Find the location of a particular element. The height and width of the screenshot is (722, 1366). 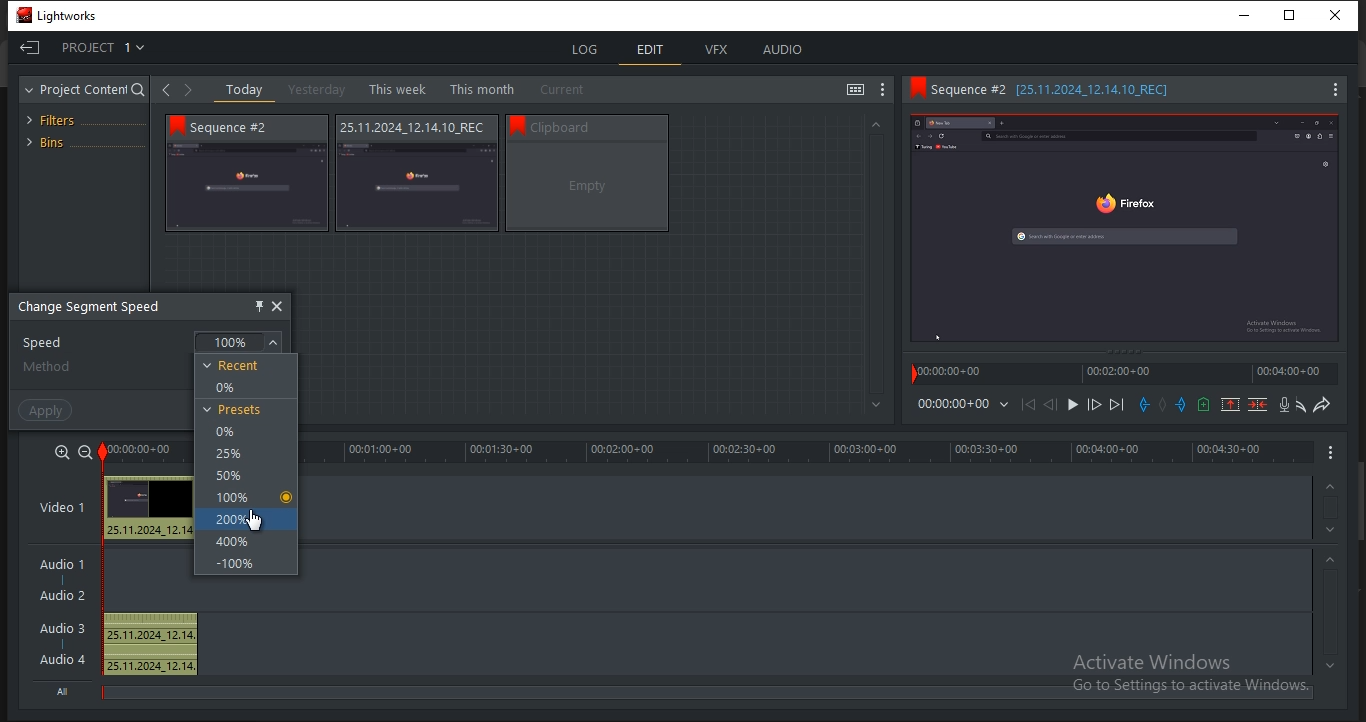

zoom in is located at coordinates (62, 453).